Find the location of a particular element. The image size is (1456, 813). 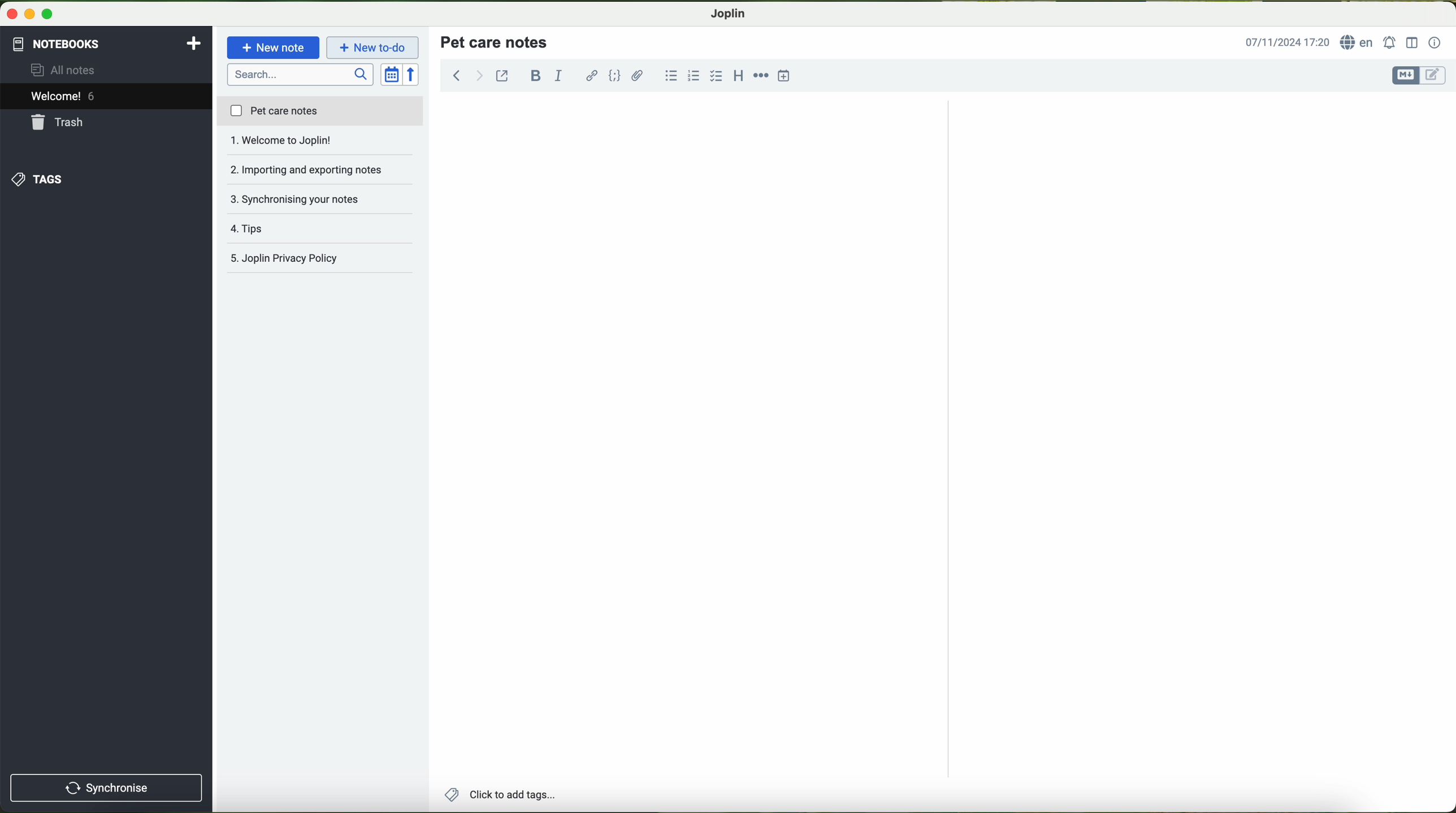

title pet care notes is located at coordinates (496, 41).